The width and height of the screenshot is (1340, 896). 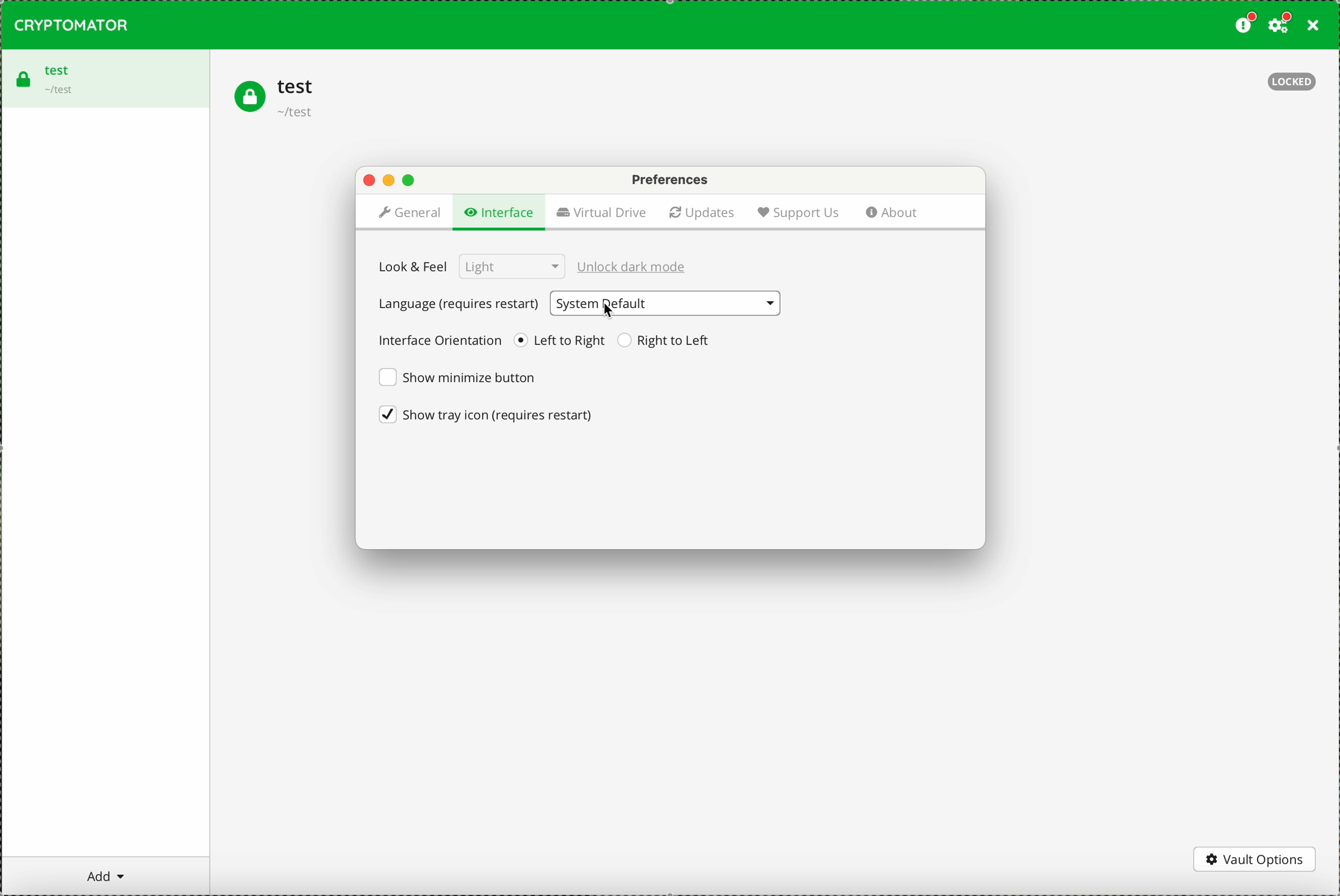 I want to click on show minimize button, so click(x=458, y=378).